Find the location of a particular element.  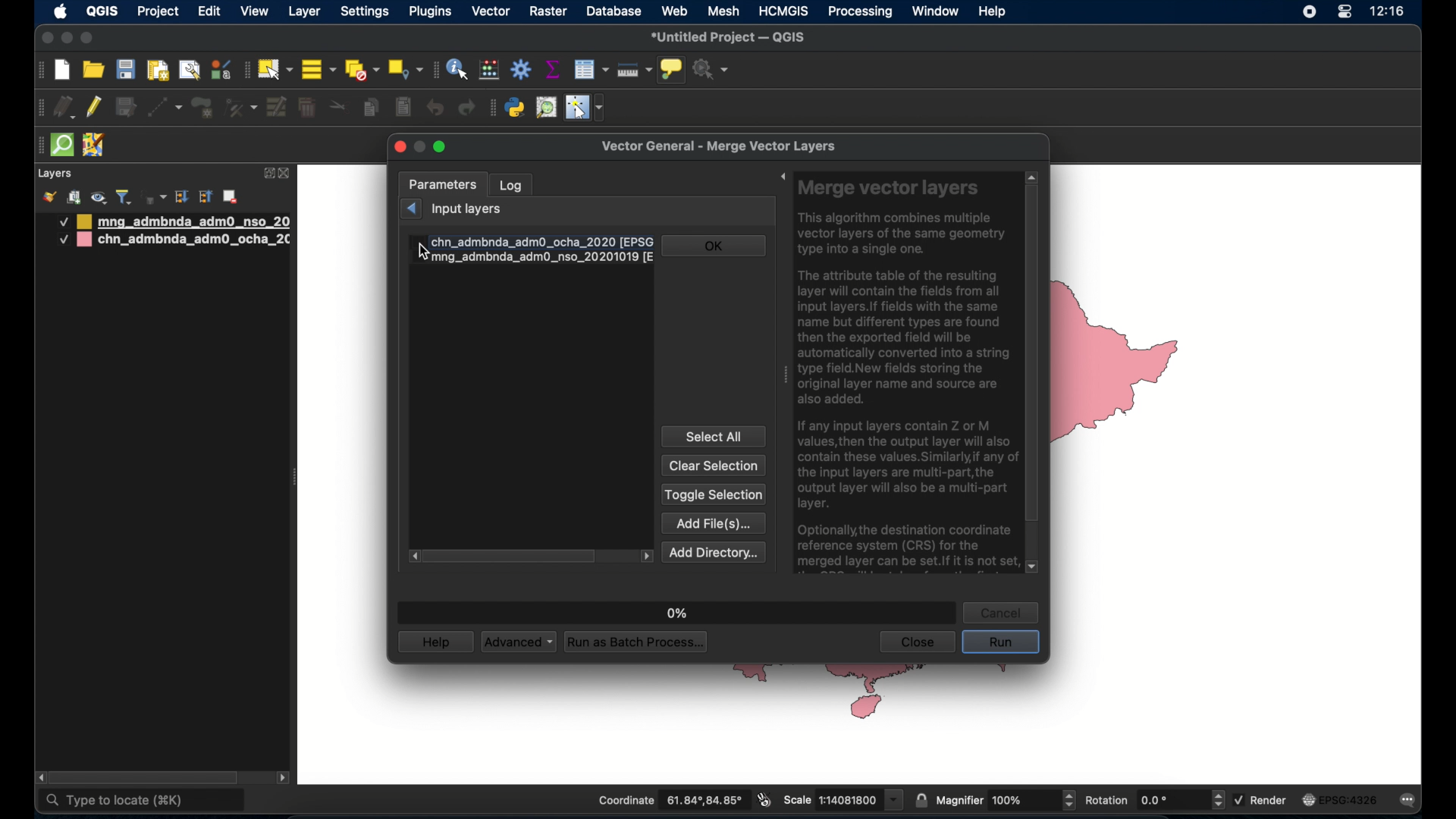

show statistical summary is located at coordinates (551, 69).